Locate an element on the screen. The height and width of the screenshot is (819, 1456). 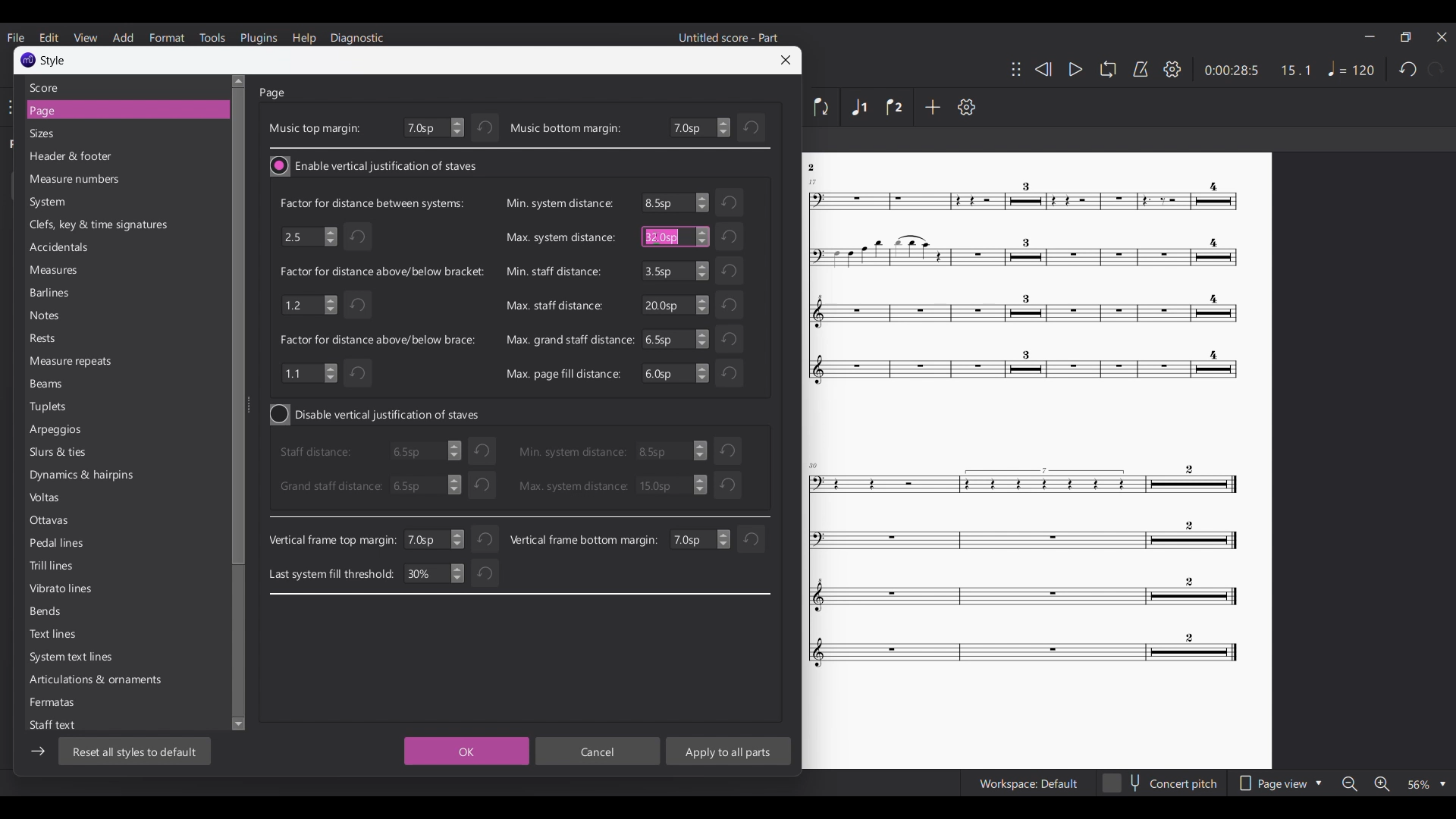
Tempo is located at coordinates (1351, 68).